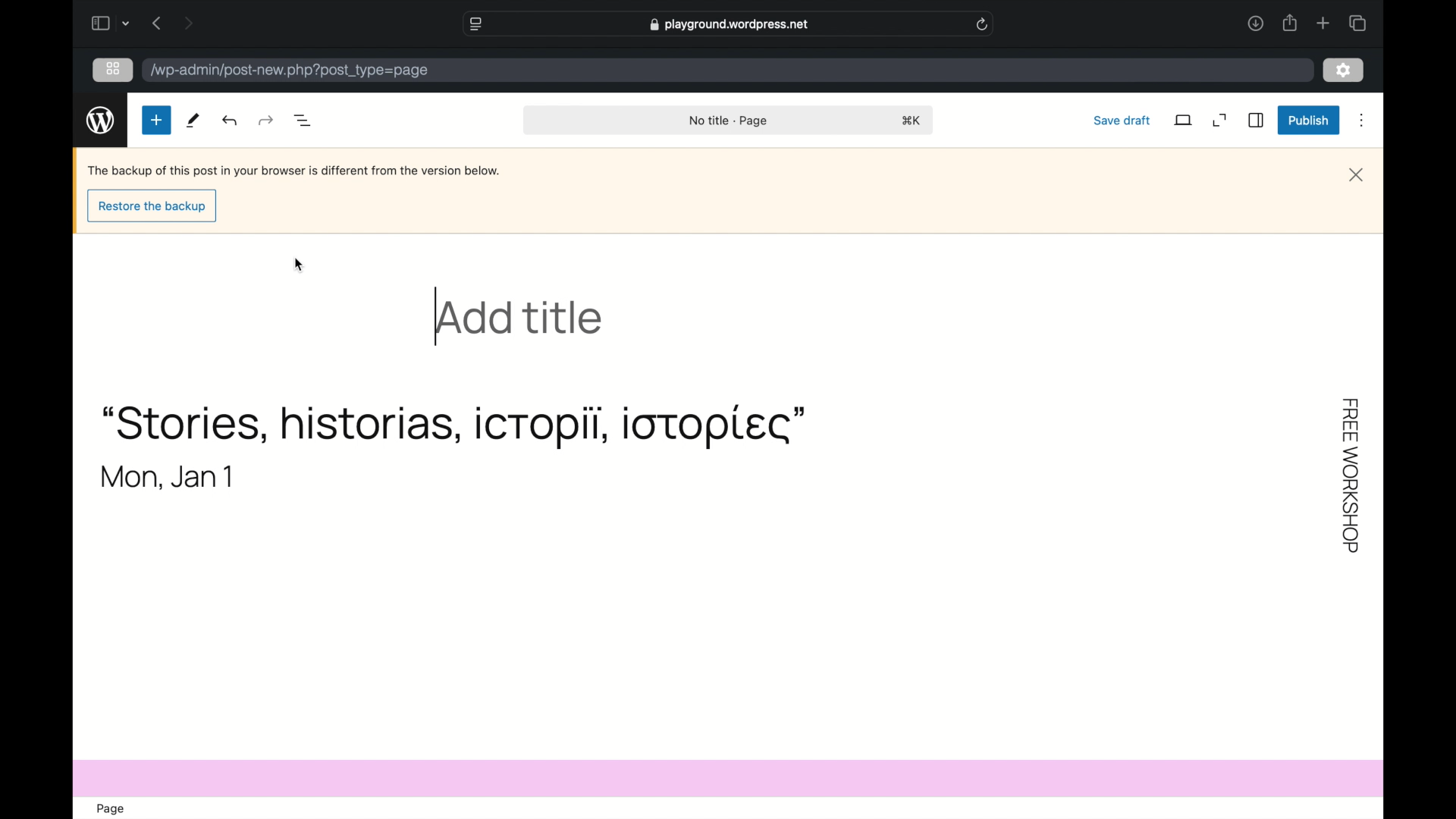  I want to click on shortcut, so click(914, 120).